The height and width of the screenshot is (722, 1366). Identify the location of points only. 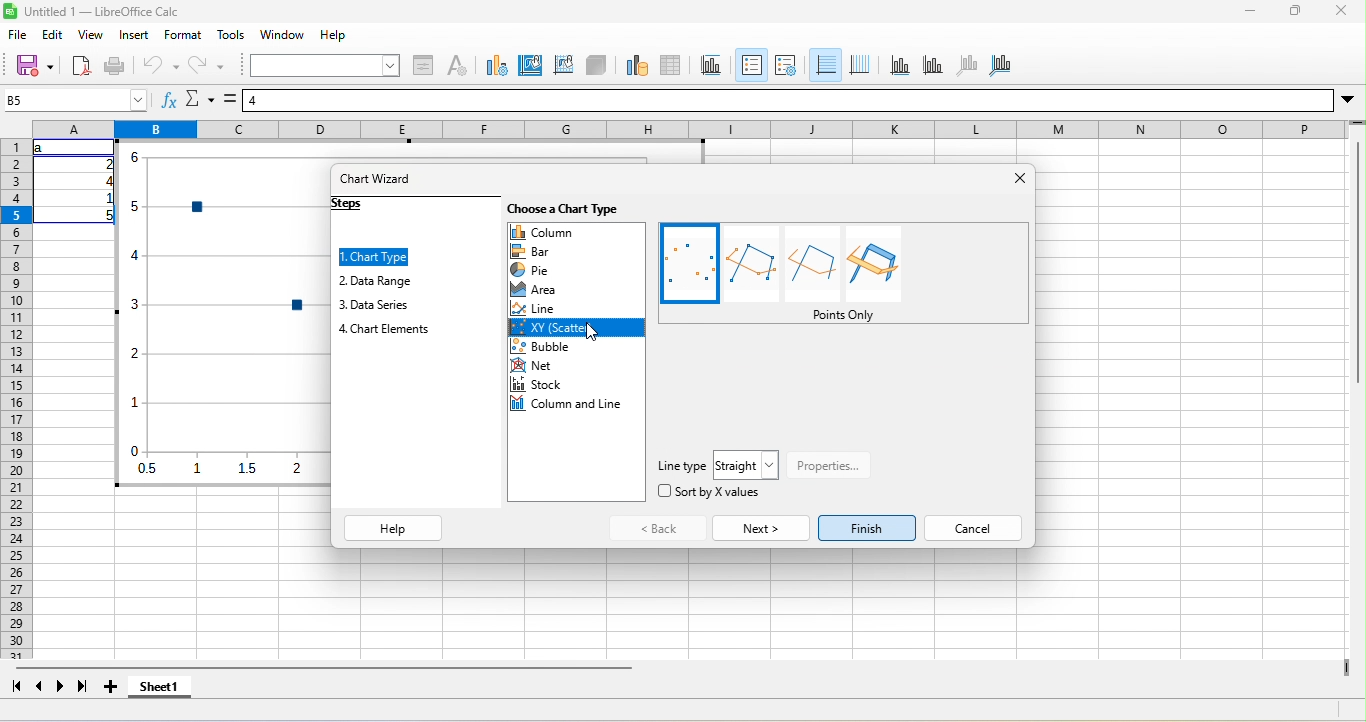
(689, 264).